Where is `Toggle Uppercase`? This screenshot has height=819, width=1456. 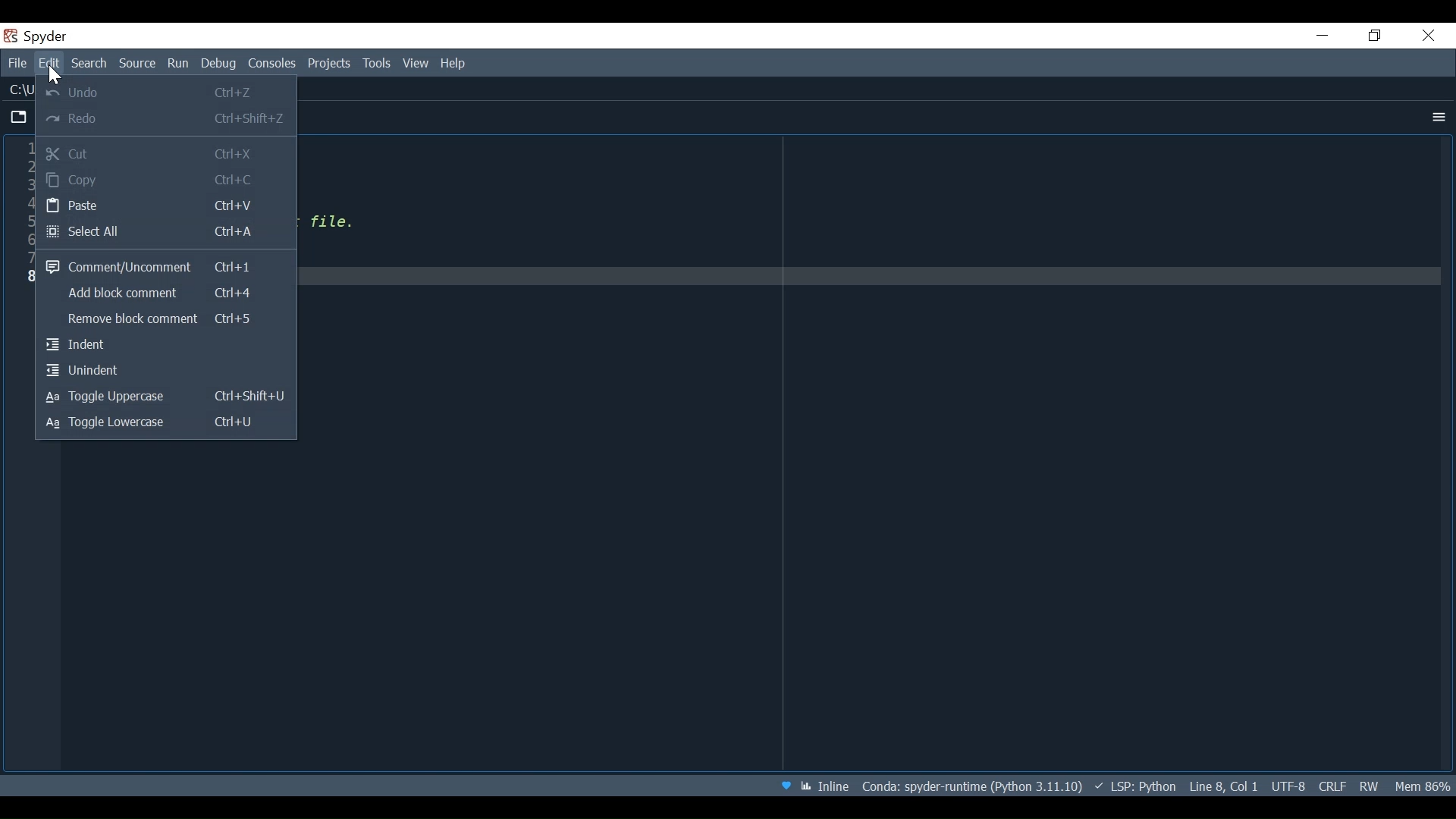 Toggle Uppercase is located at coordinates (115, 397).